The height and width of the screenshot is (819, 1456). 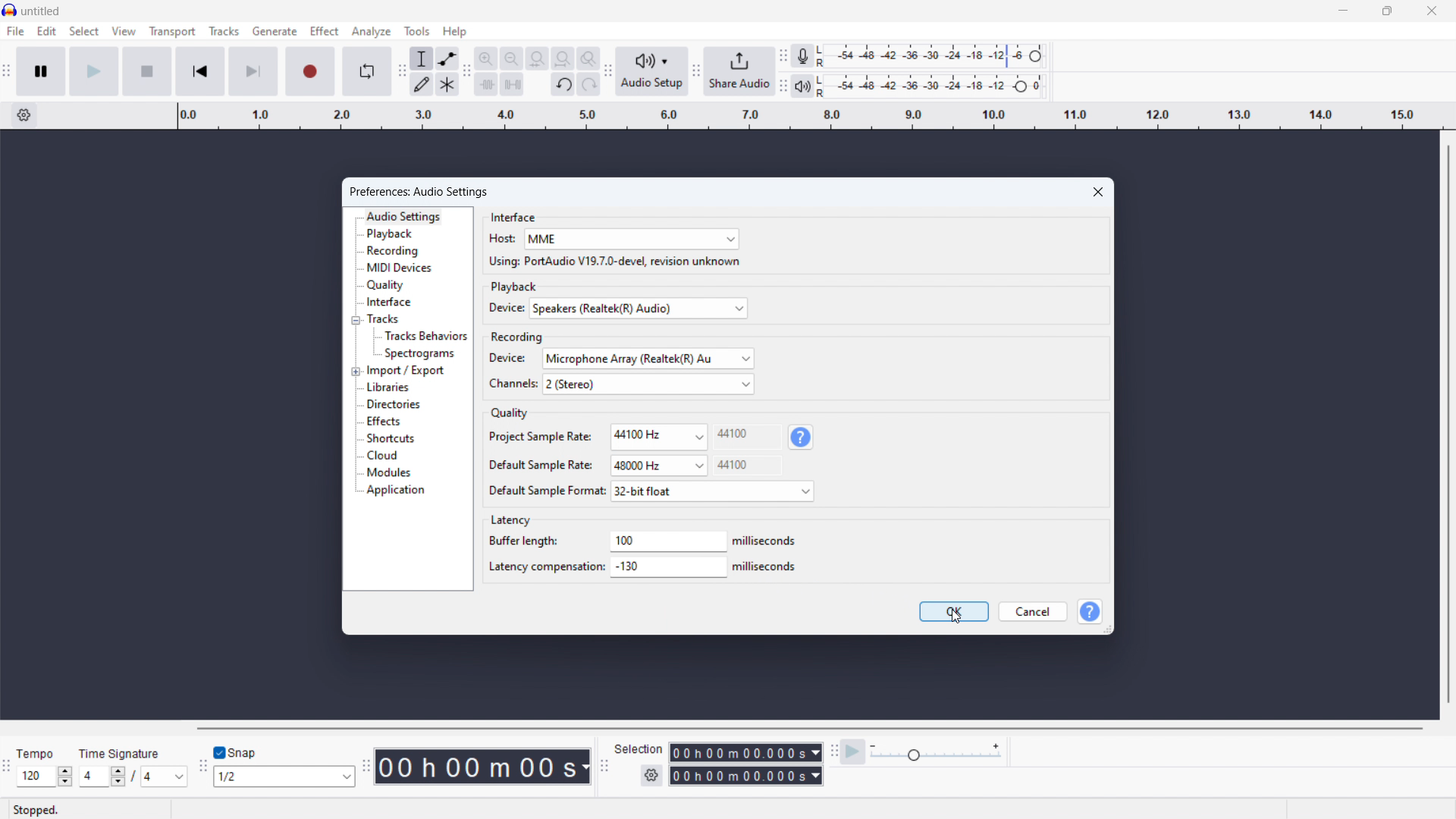 What do you see at coordinates (10, 10) in the screenshot?
I see `logo` at bounding box center [10, 10].